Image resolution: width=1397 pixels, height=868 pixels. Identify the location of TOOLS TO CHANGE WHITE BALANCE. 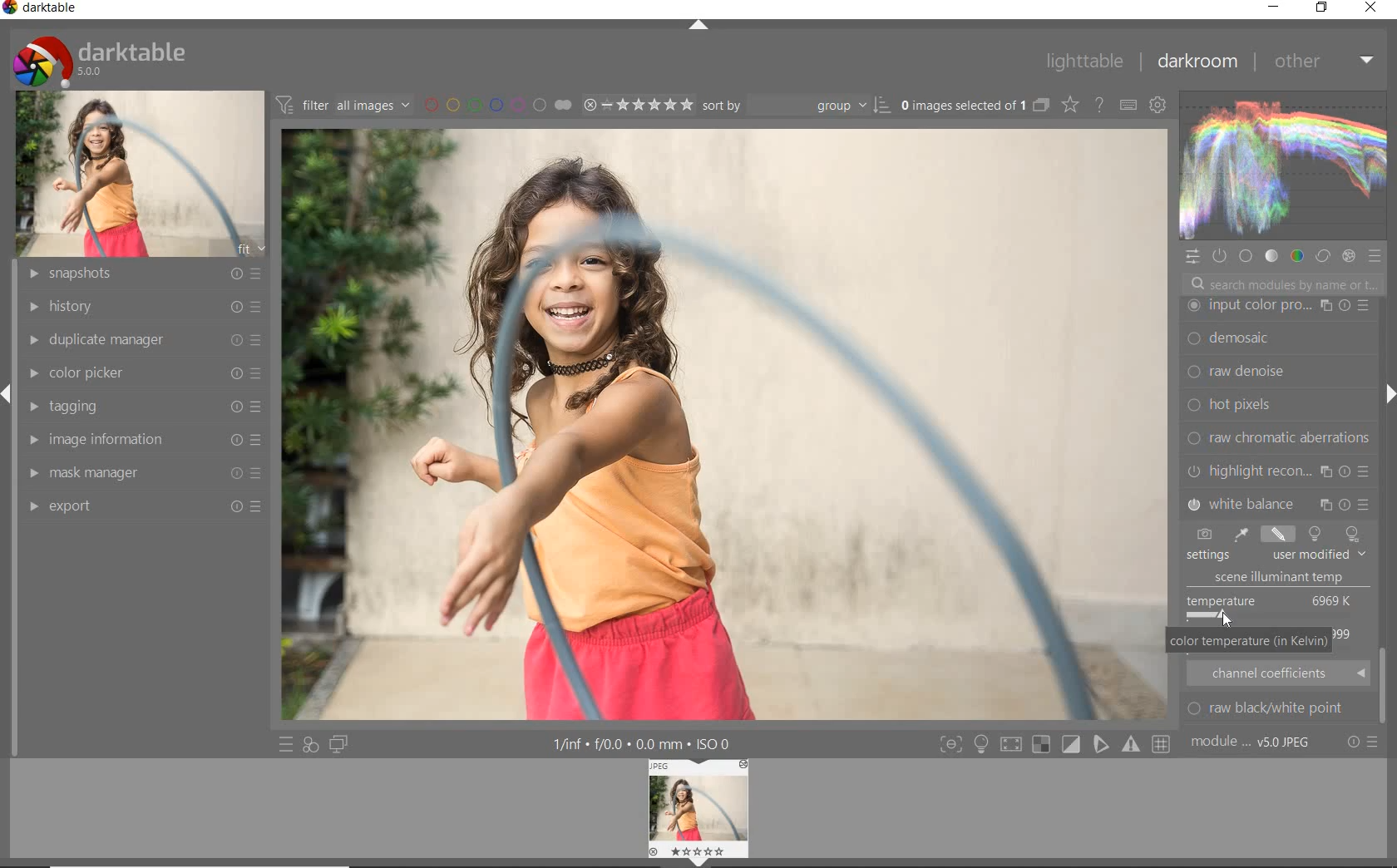
(1275, 534).